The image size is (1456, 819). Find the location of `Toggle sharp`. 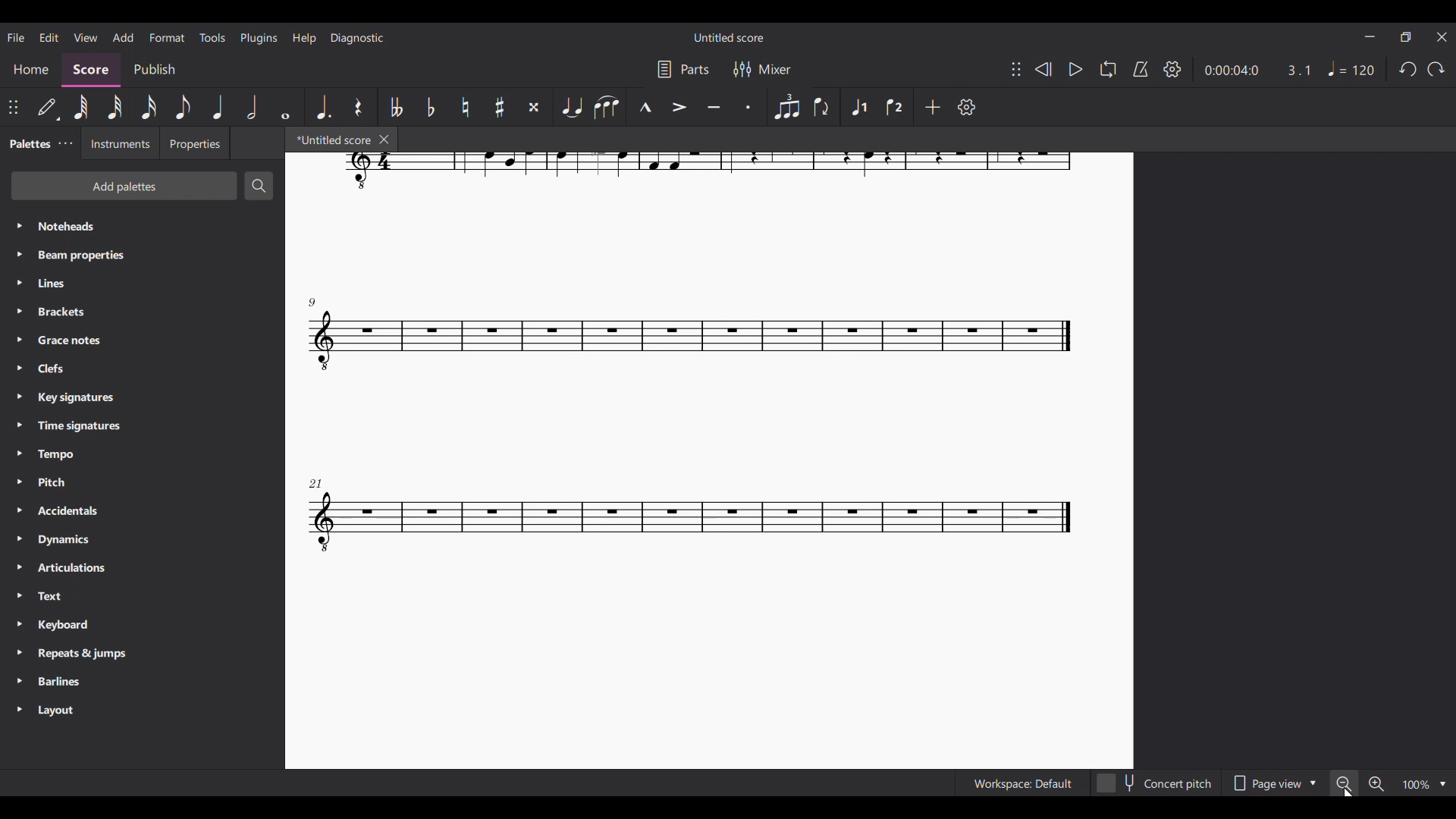

Toggle sharp is located at coordinates (500, 107).